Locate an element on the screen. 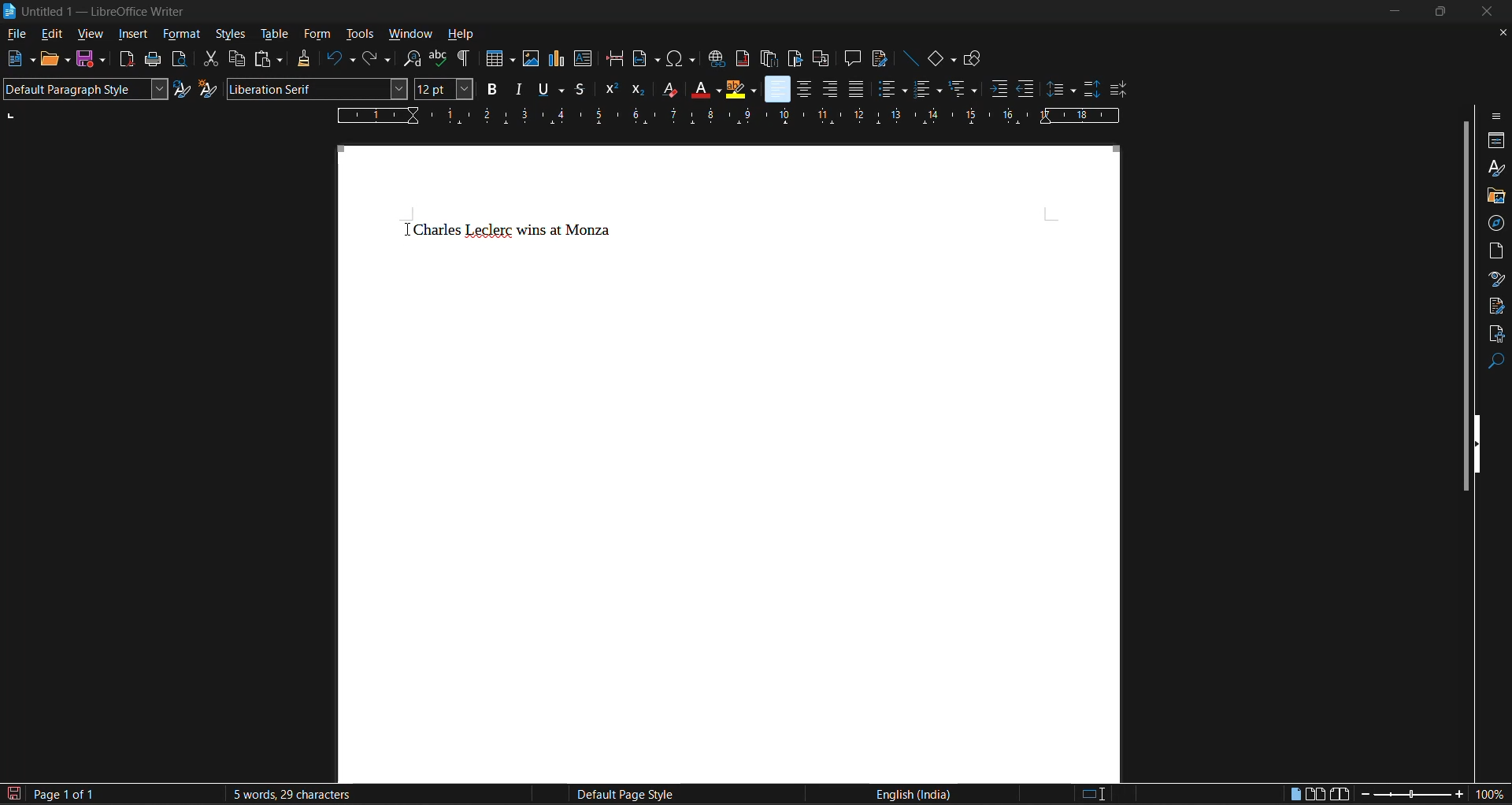  clone formatting is located at coordinates (304, 58).